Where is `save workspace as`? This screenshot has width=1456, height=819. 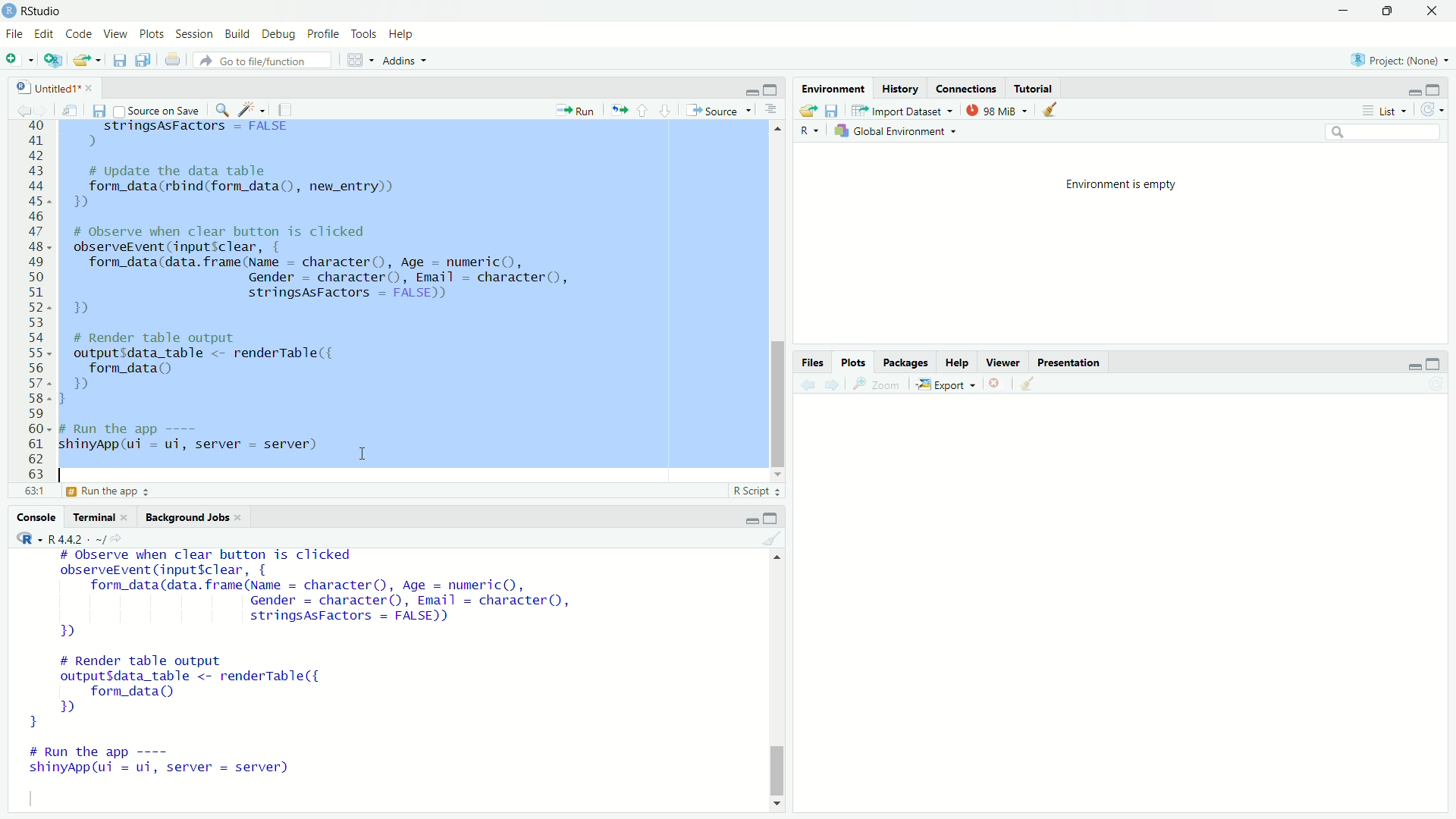 save workspace as is located at coordinates (830, 110).